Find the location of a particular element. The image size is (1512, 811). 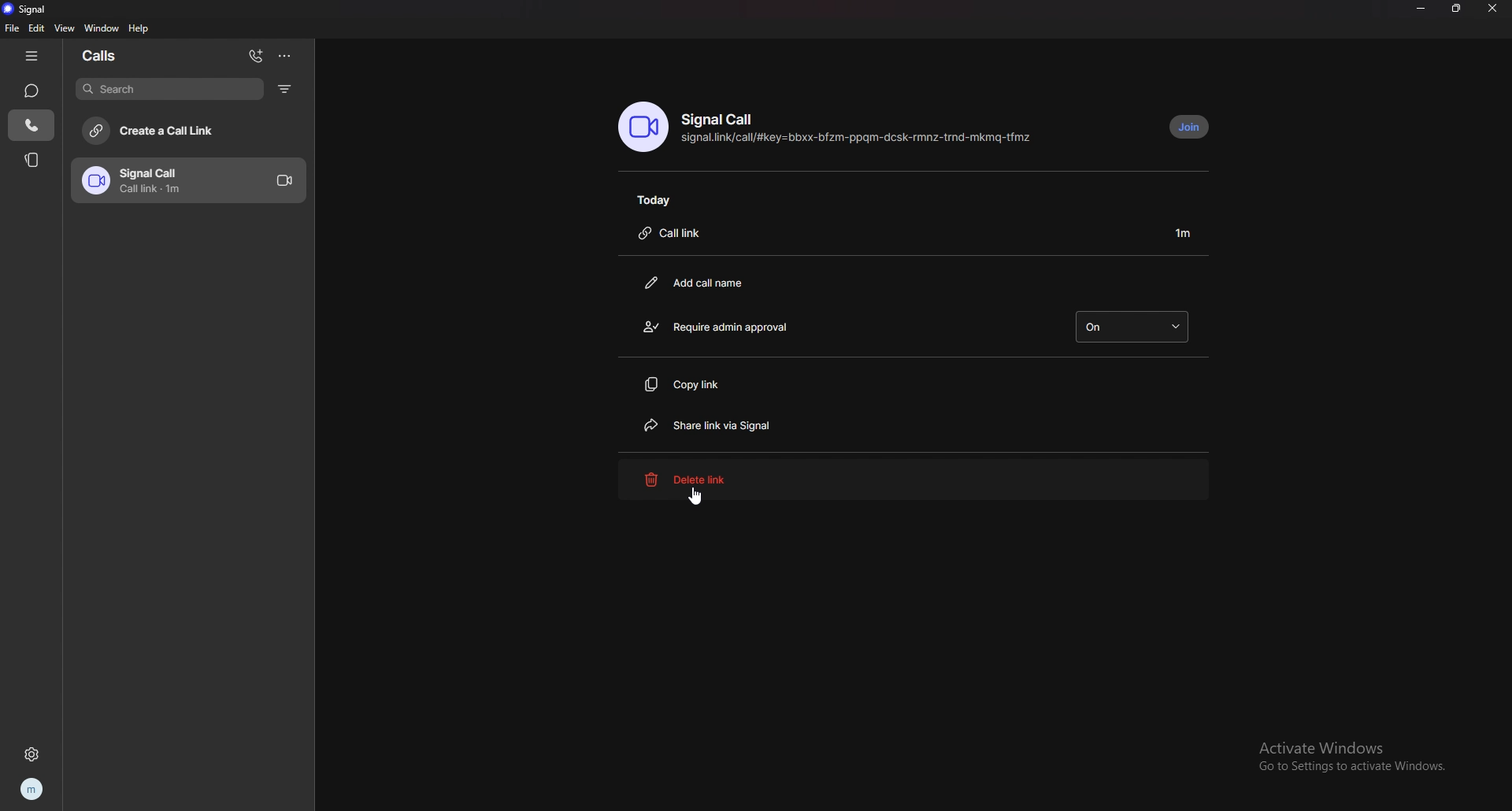

minimize is located at coordinates (1421, 7).